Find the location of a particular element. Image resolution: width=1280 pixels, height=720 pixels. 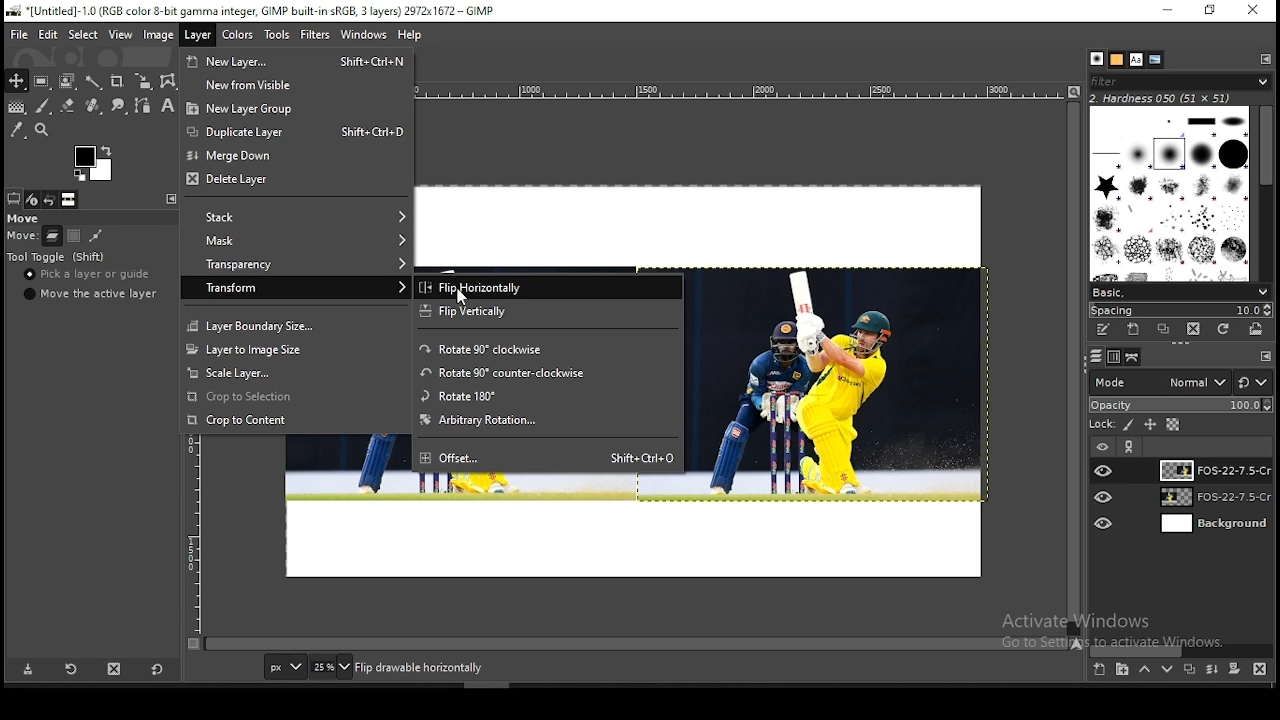

move layer on step down is located at coordinates (1168, 672).